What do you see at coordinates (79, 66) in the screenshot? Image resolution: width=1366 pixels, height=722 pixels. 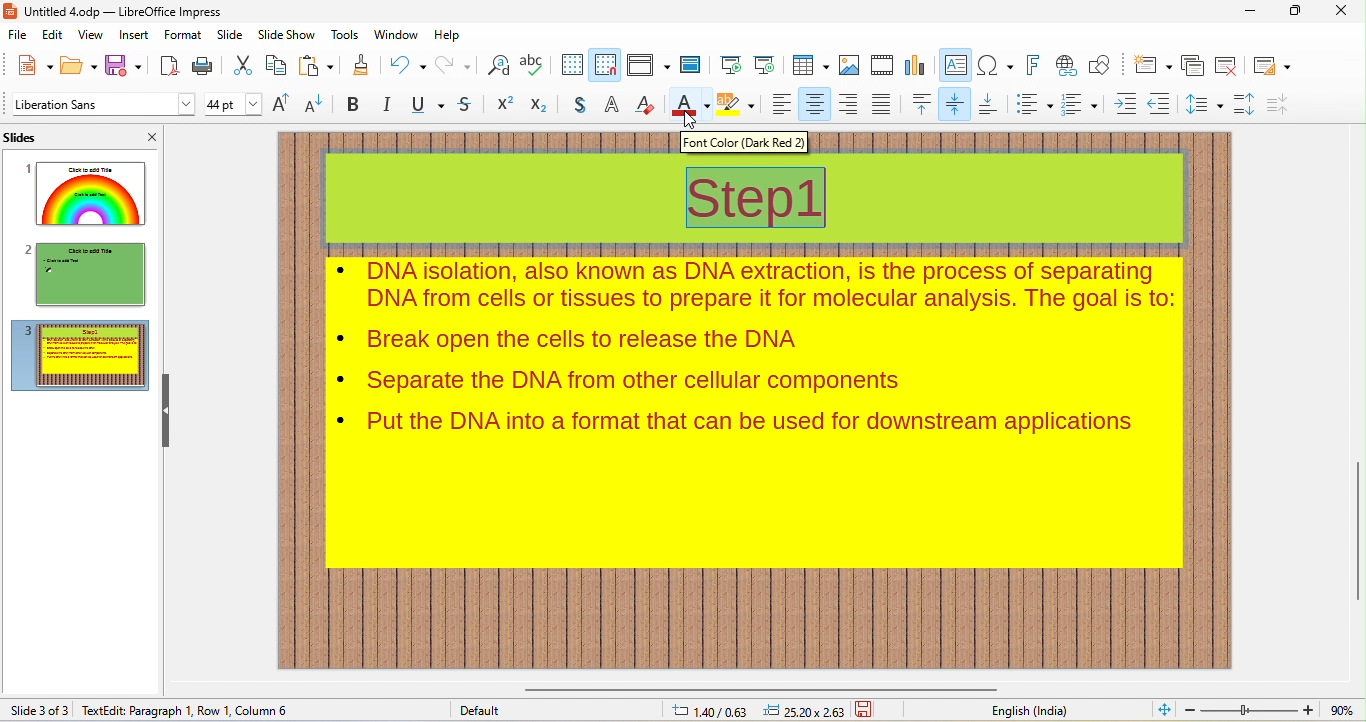 I see `open` at bounding box center [79, 66].